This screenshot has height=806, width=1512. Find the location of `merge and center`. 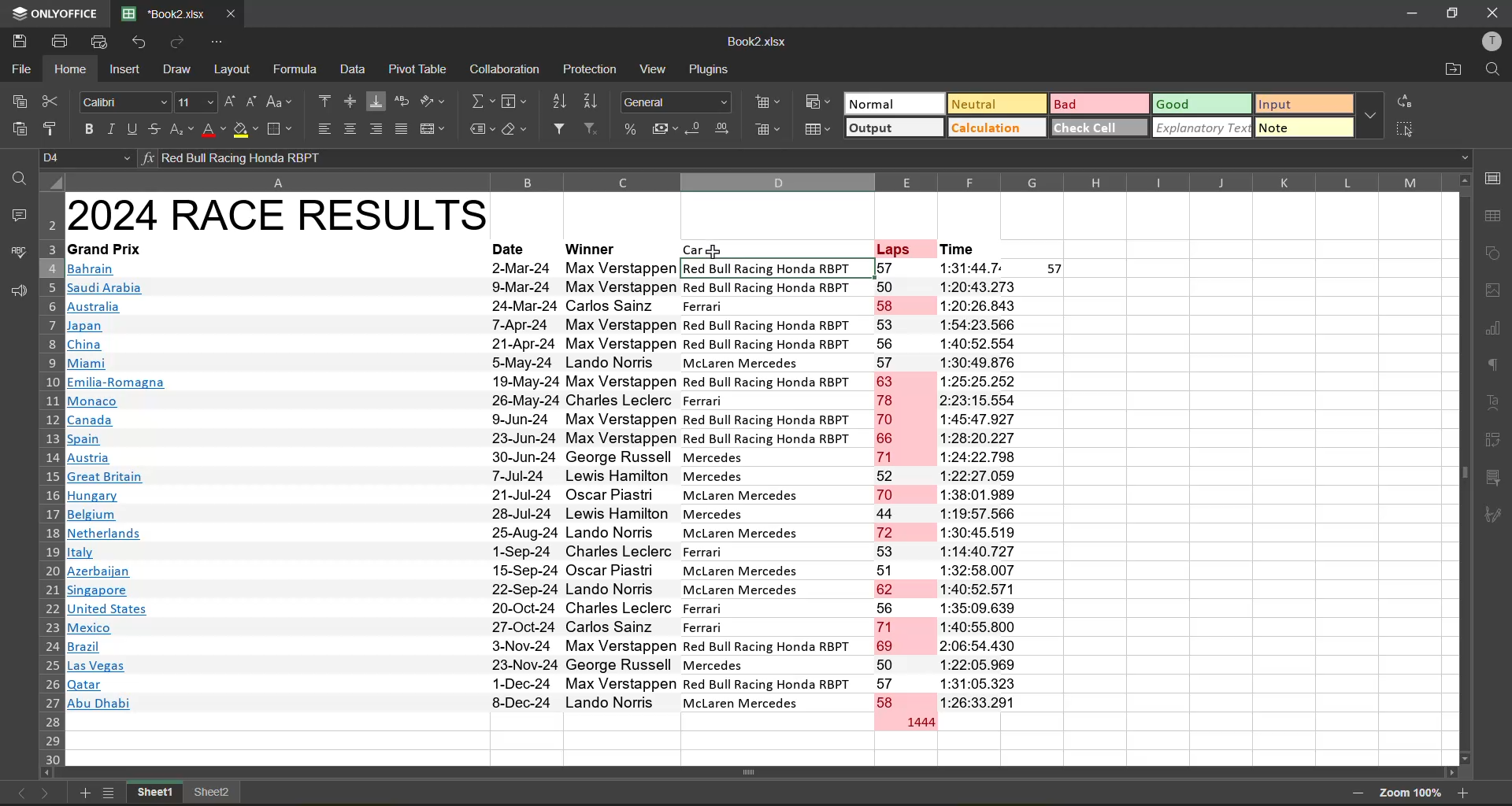

merge and center is located at coordinates (434, 130).